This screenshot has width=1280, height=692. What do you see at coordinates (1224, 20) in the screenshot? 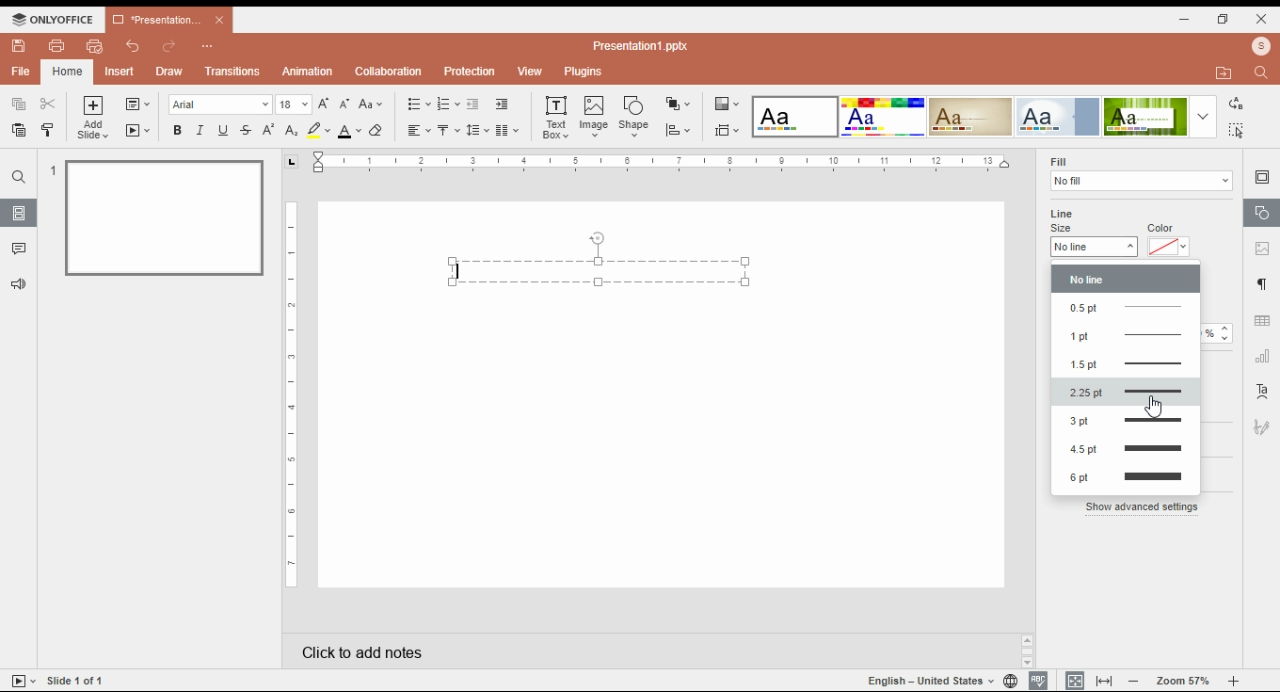
I see `restore` at bounding box center [1224, 20].